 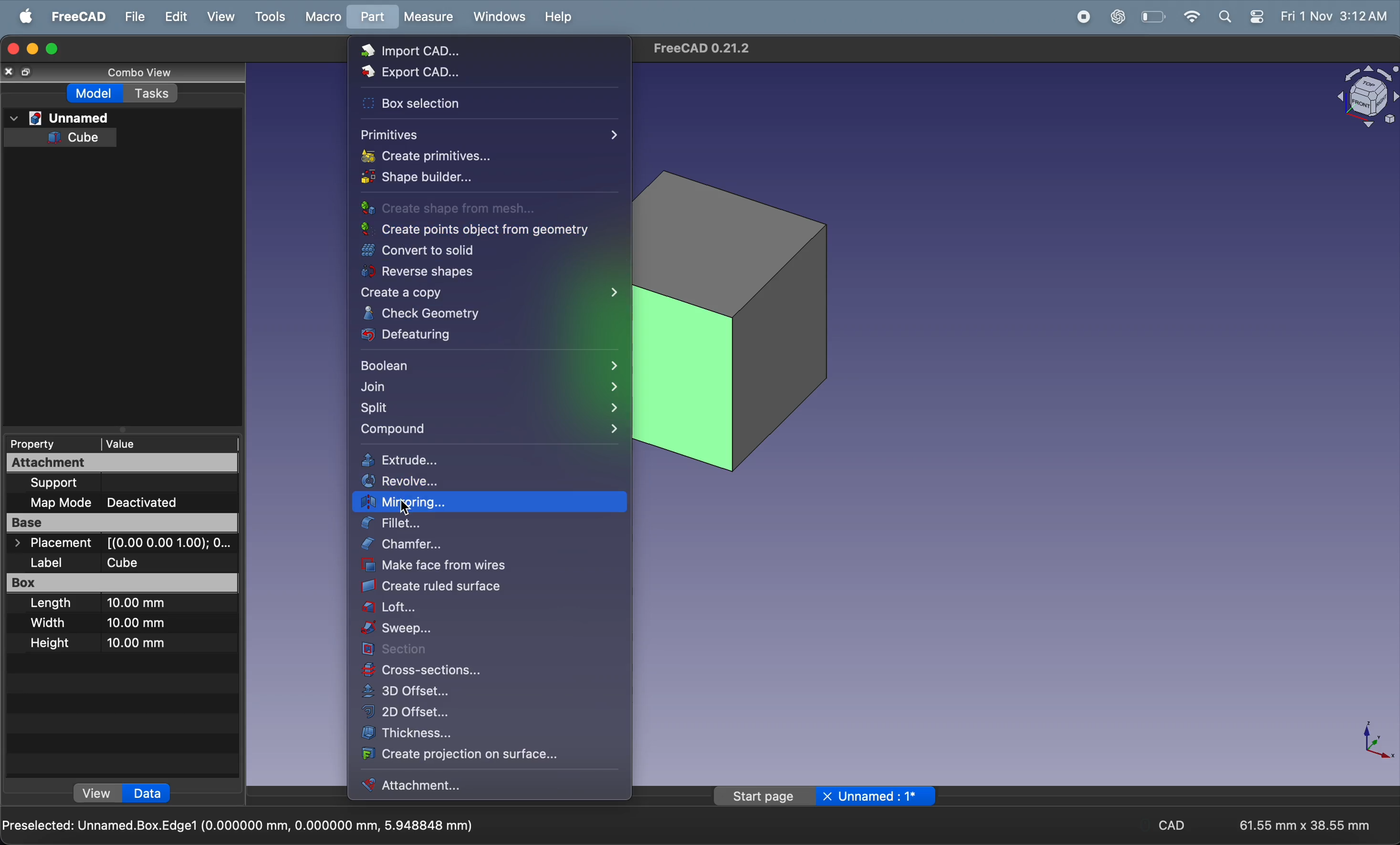 What do you see at coordinates (10, 49) in the screenshot?
I see `closing window` at bounding box center [10, 49].